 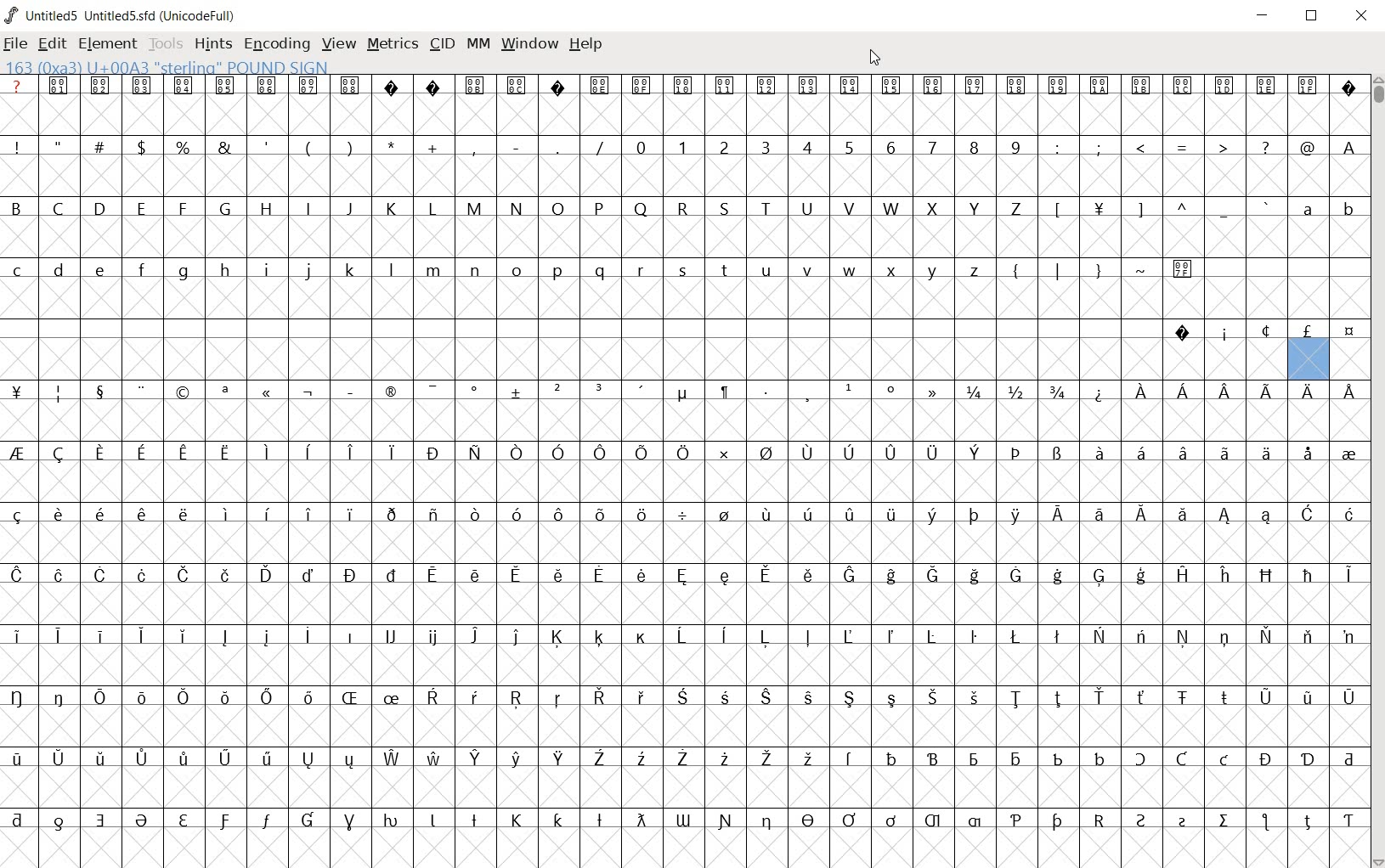 What do you see at coordinates (1139, 516) in the screenshot?
I see `Symbol` at bounding box center [1139, 516].